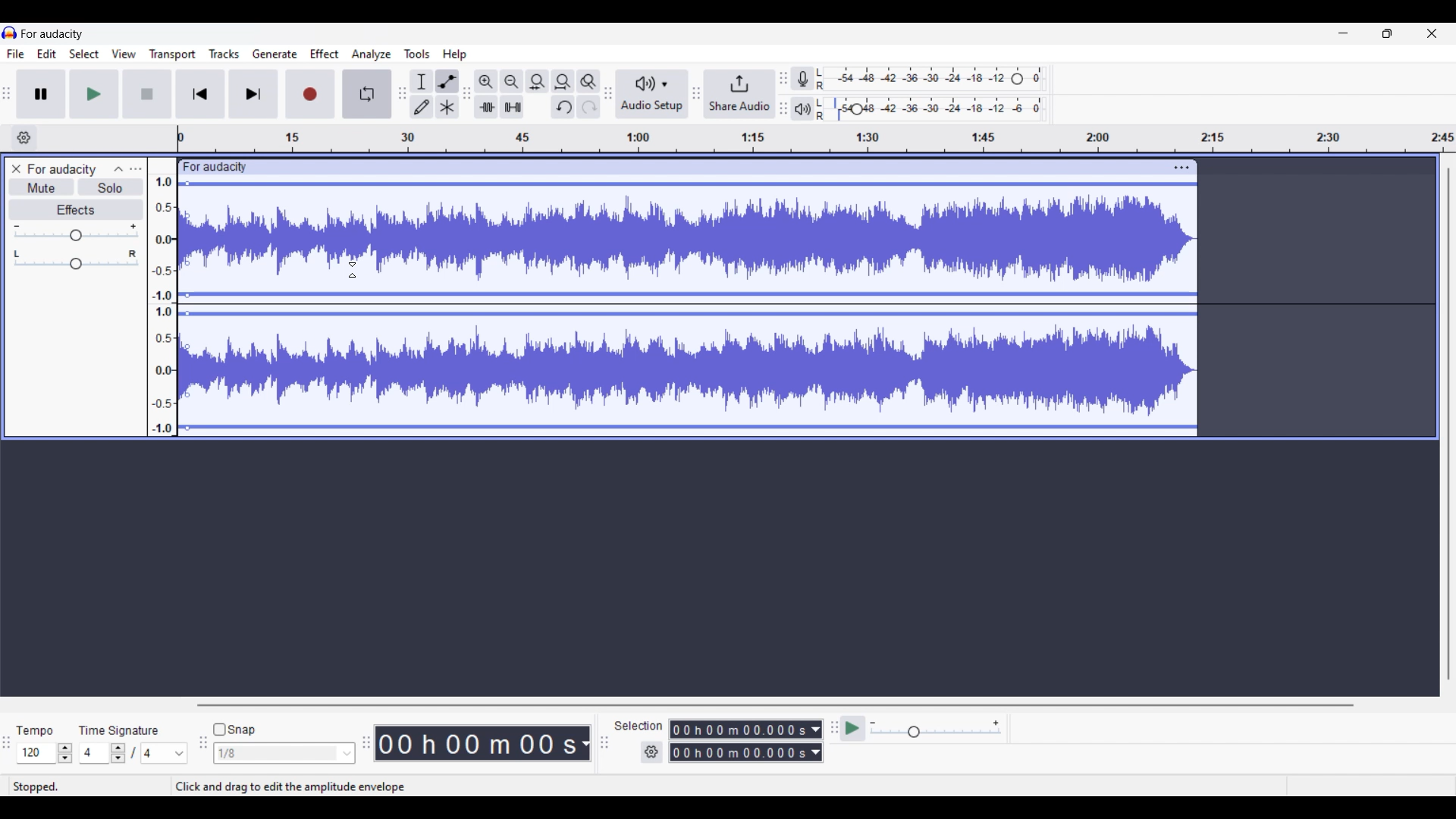 The image size is (1456, 819). Describe the element at coordinates (448, 82) in the screenshot. I see `Envelop tool` at that location.